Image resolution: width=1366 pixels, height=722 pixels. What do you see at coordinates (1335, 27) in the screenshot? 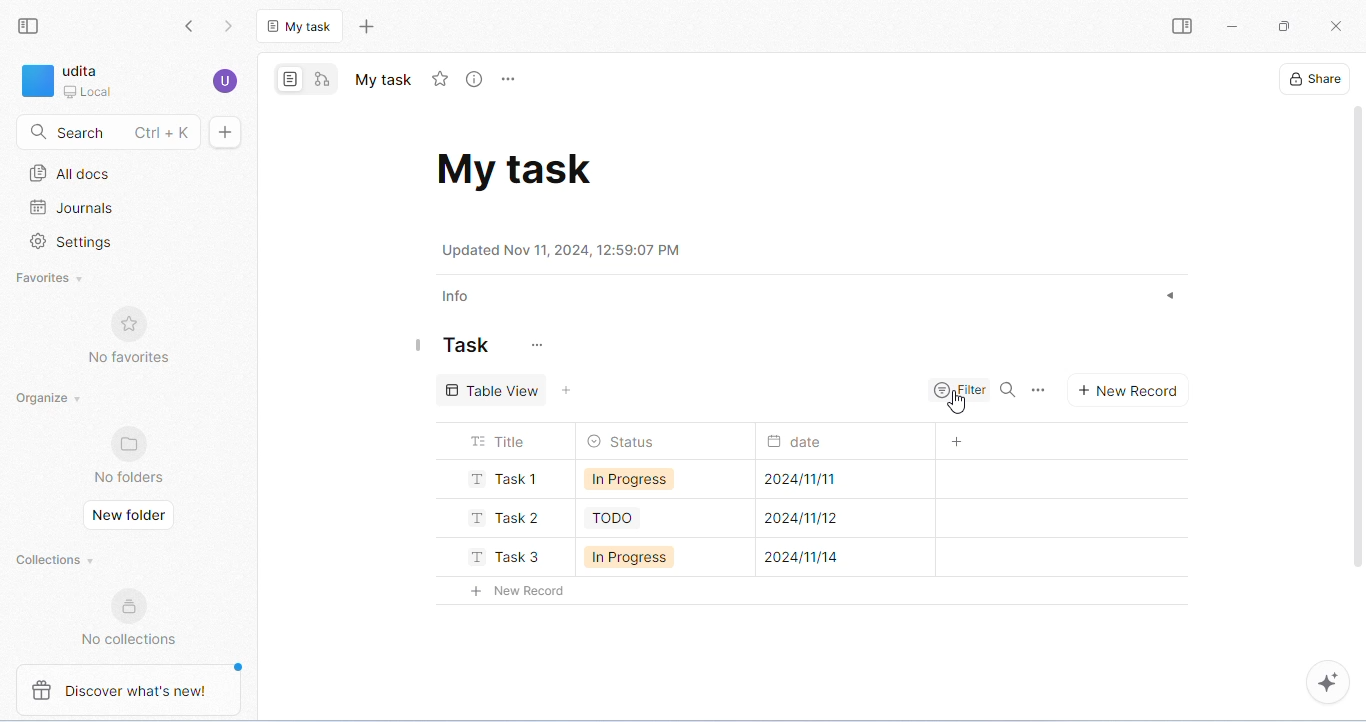
I see `close` at bounding box center [1335, 27].